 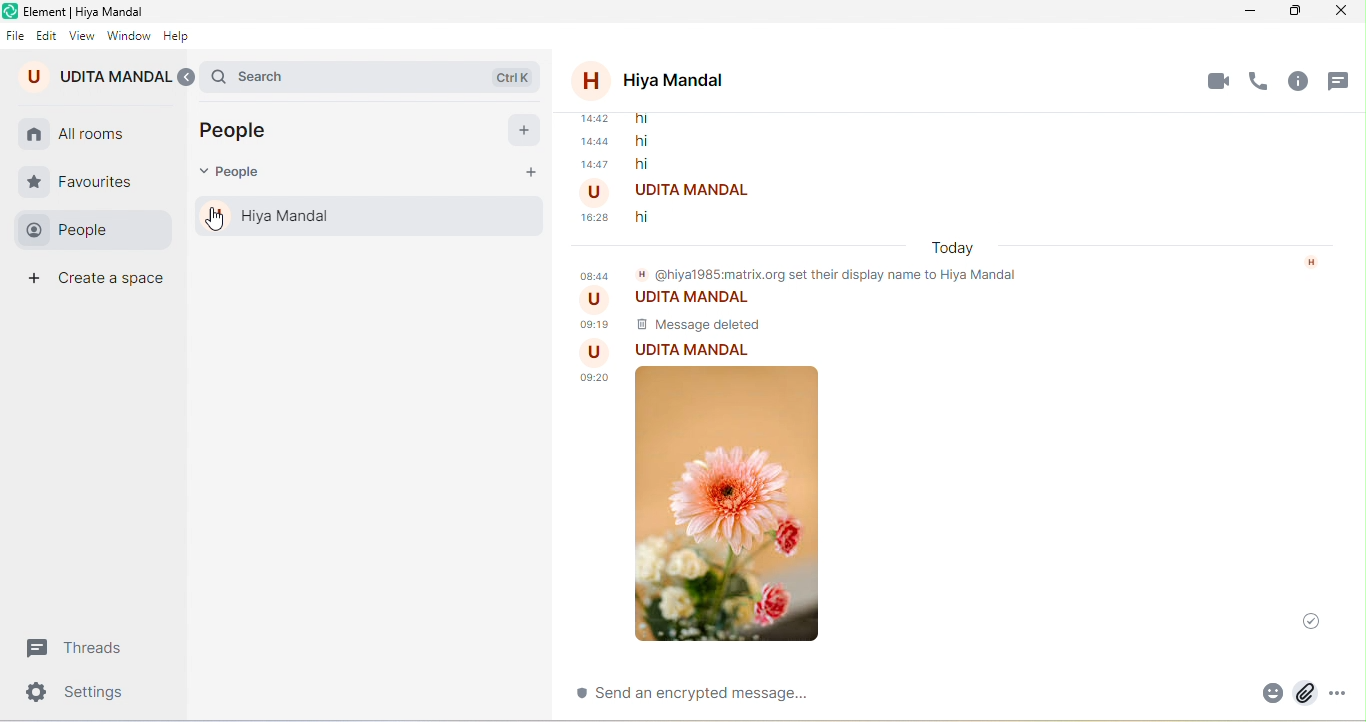 I want to click on hi, so click(x=644, y=140).